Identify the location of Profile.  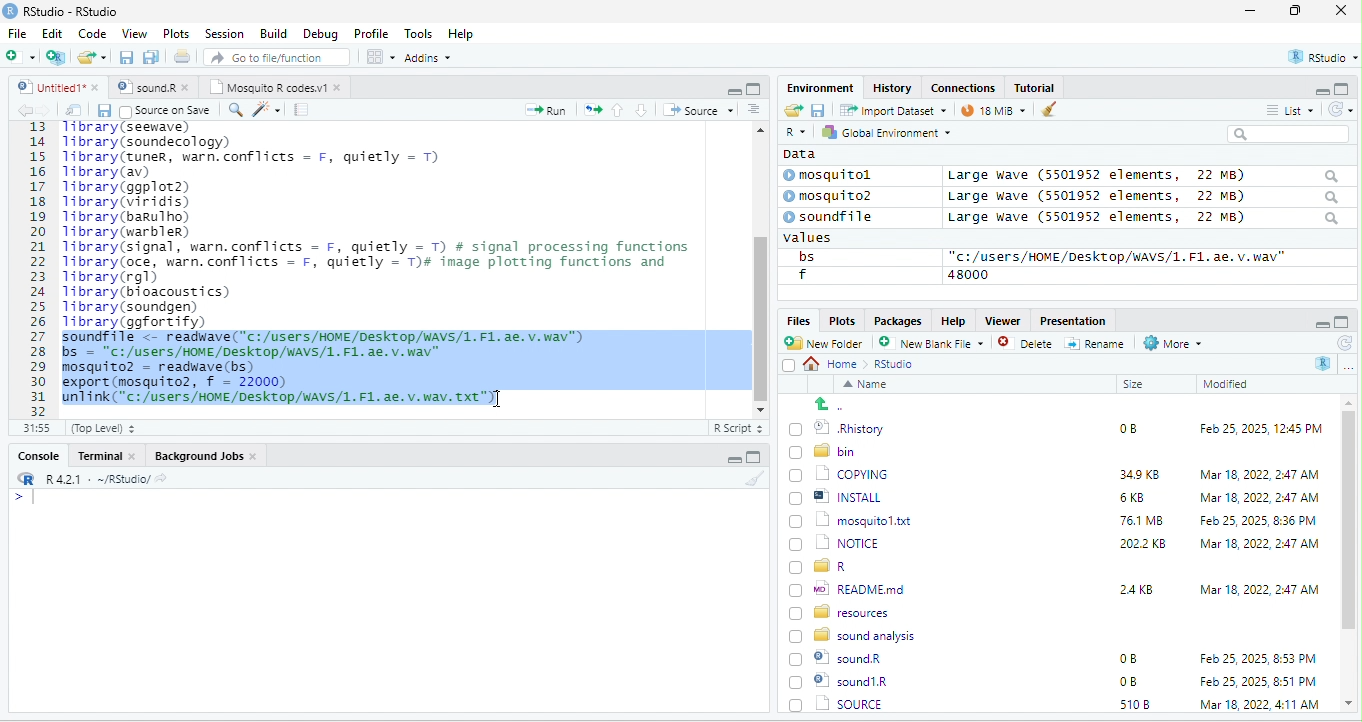
(371, 34).